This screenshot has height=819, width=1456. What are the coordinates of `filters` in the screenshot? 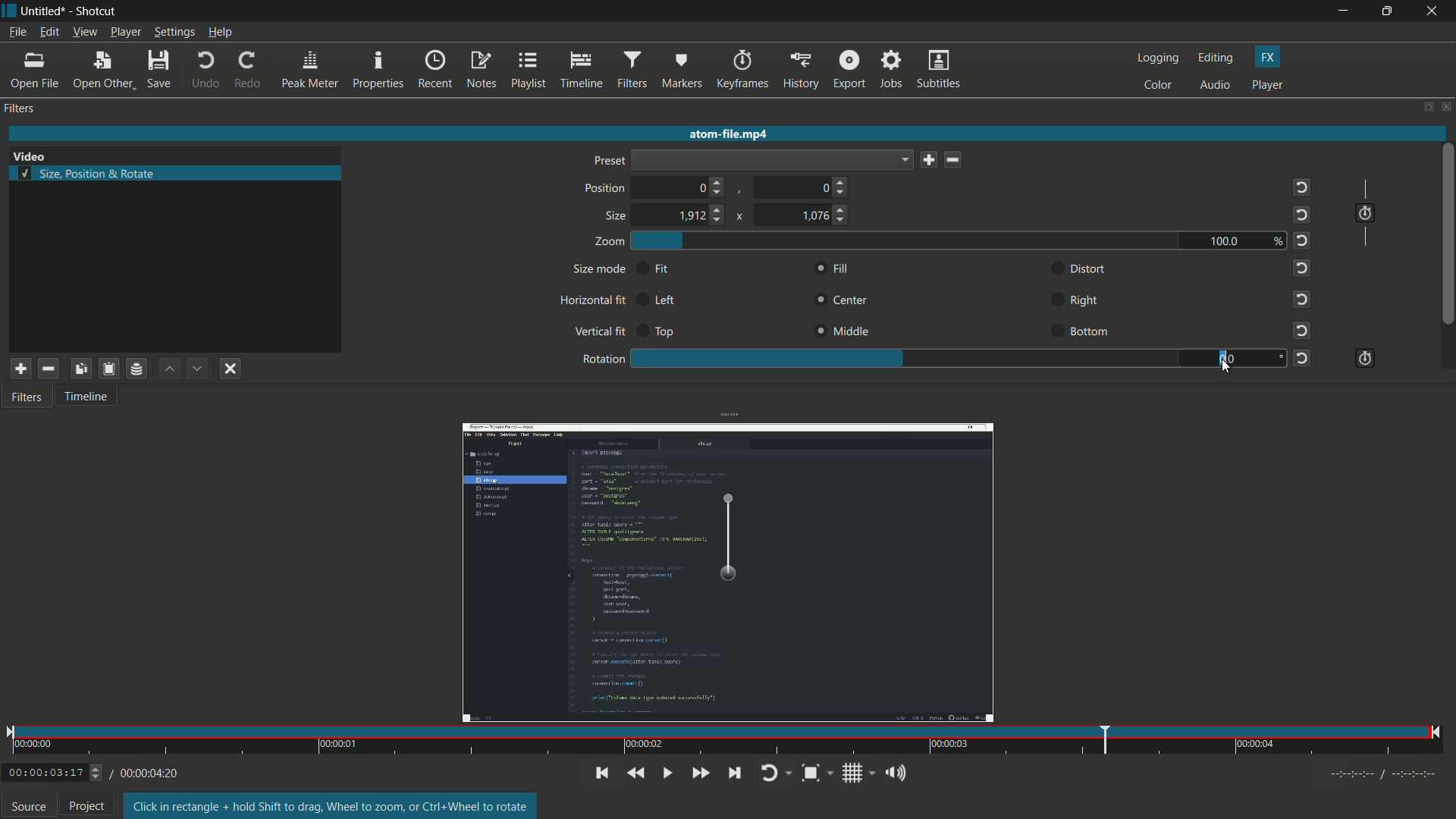 It's located at (25, 395).